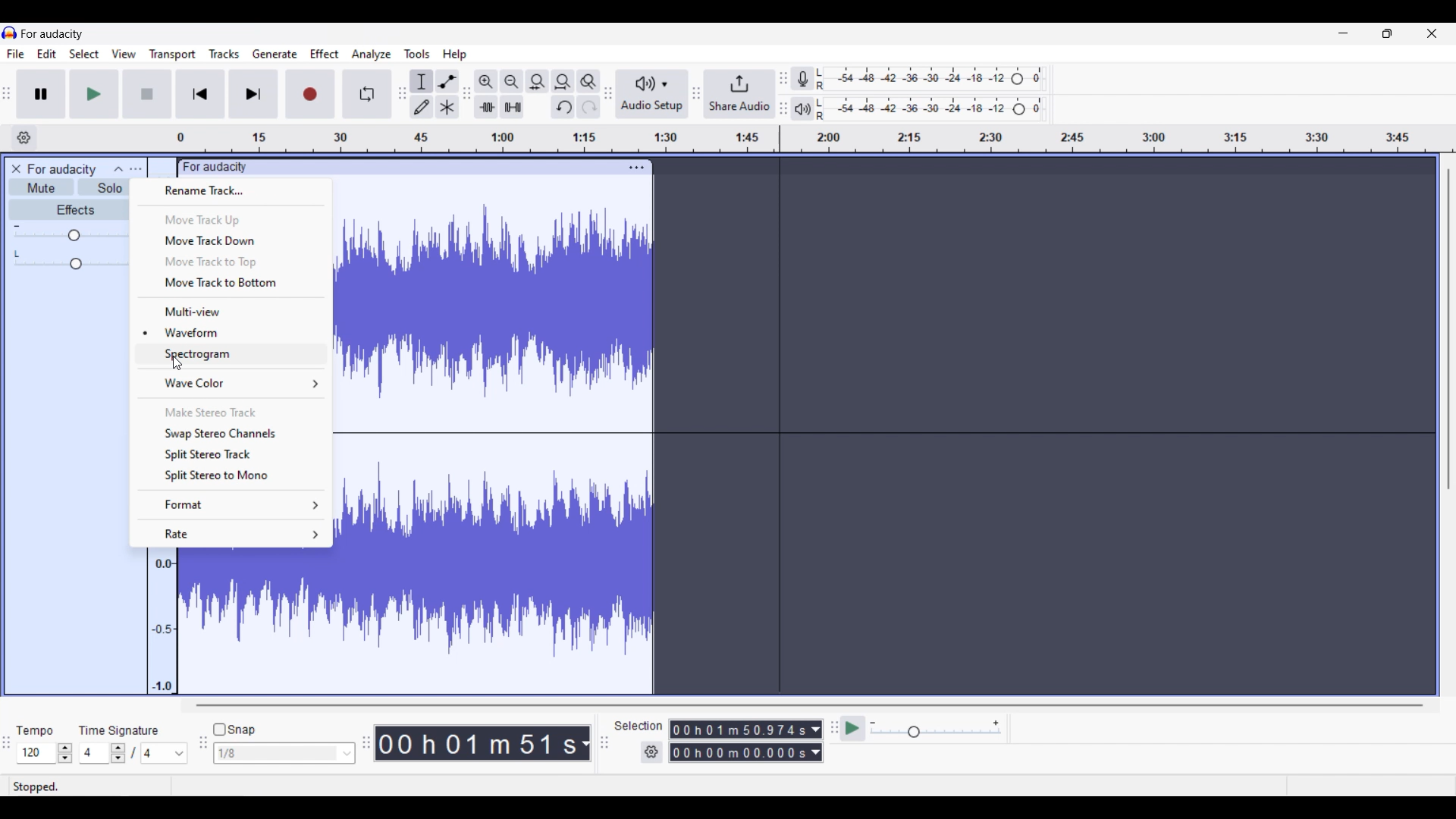 The height and width of the screenshot is (819, 1456). I want to click on Selection duration, so click(739, 740).